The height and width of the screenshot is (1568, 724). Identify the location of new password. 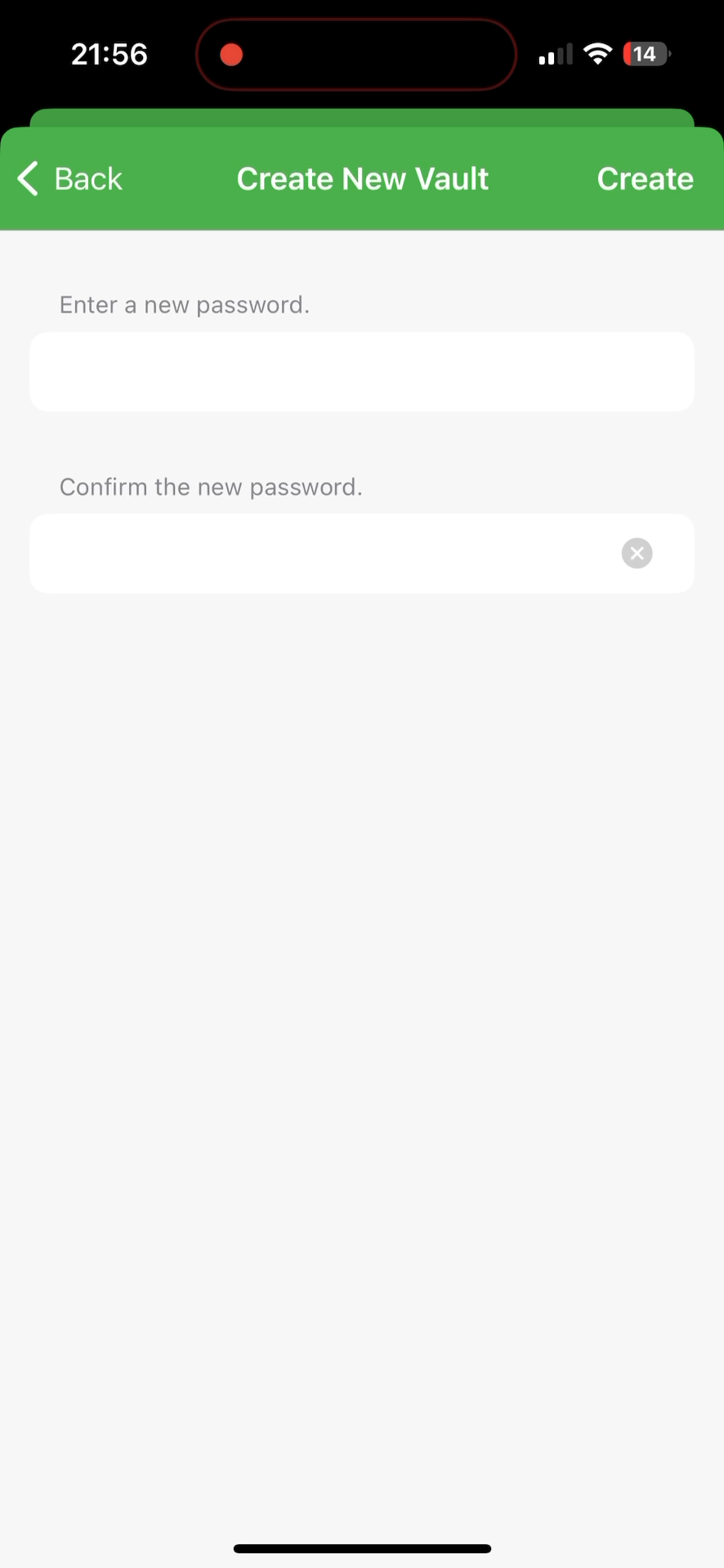
(324, 563).